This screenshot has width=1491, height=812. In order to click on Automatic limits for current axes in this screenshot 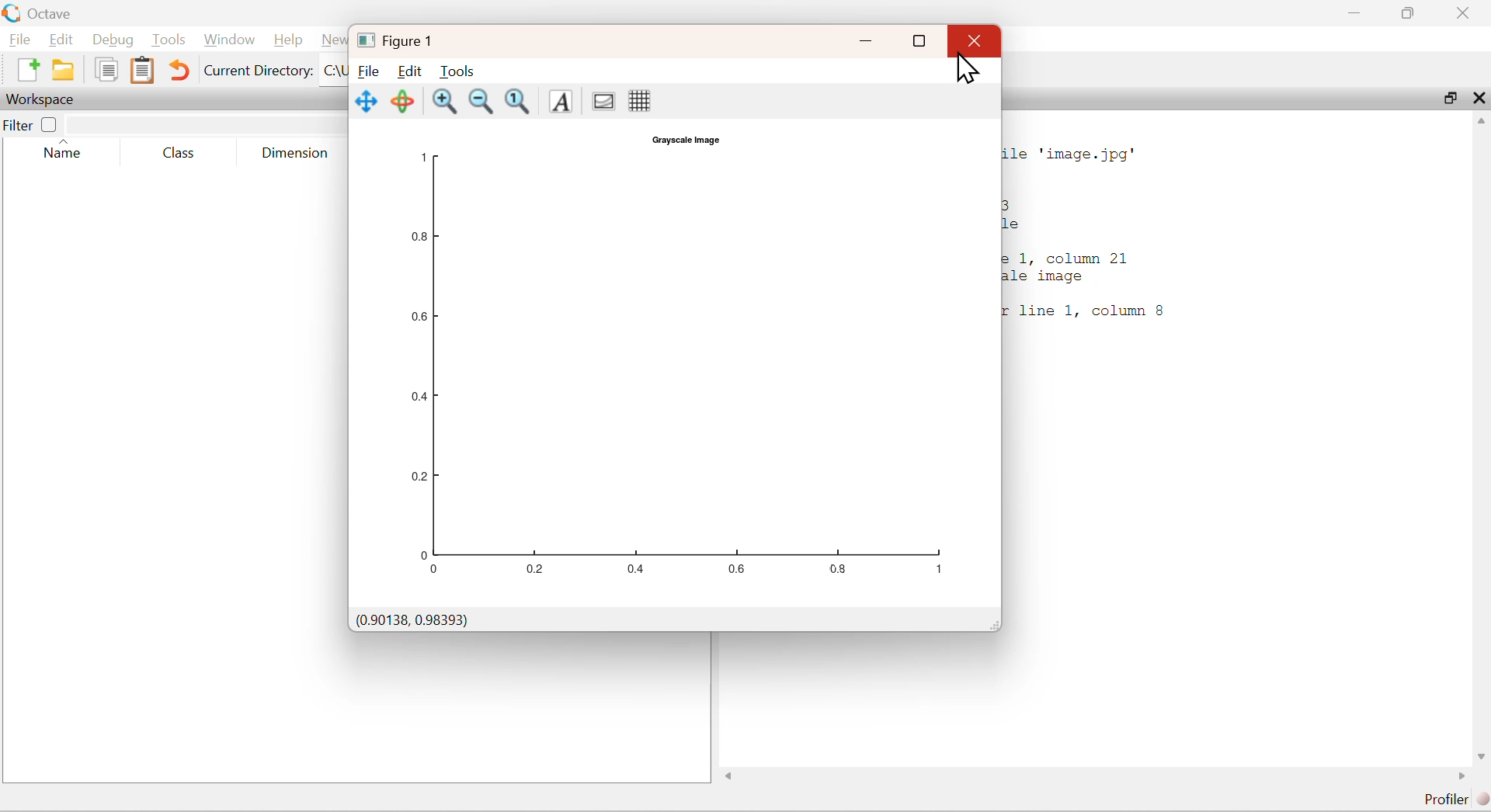, I will do `click(521, 102)`.